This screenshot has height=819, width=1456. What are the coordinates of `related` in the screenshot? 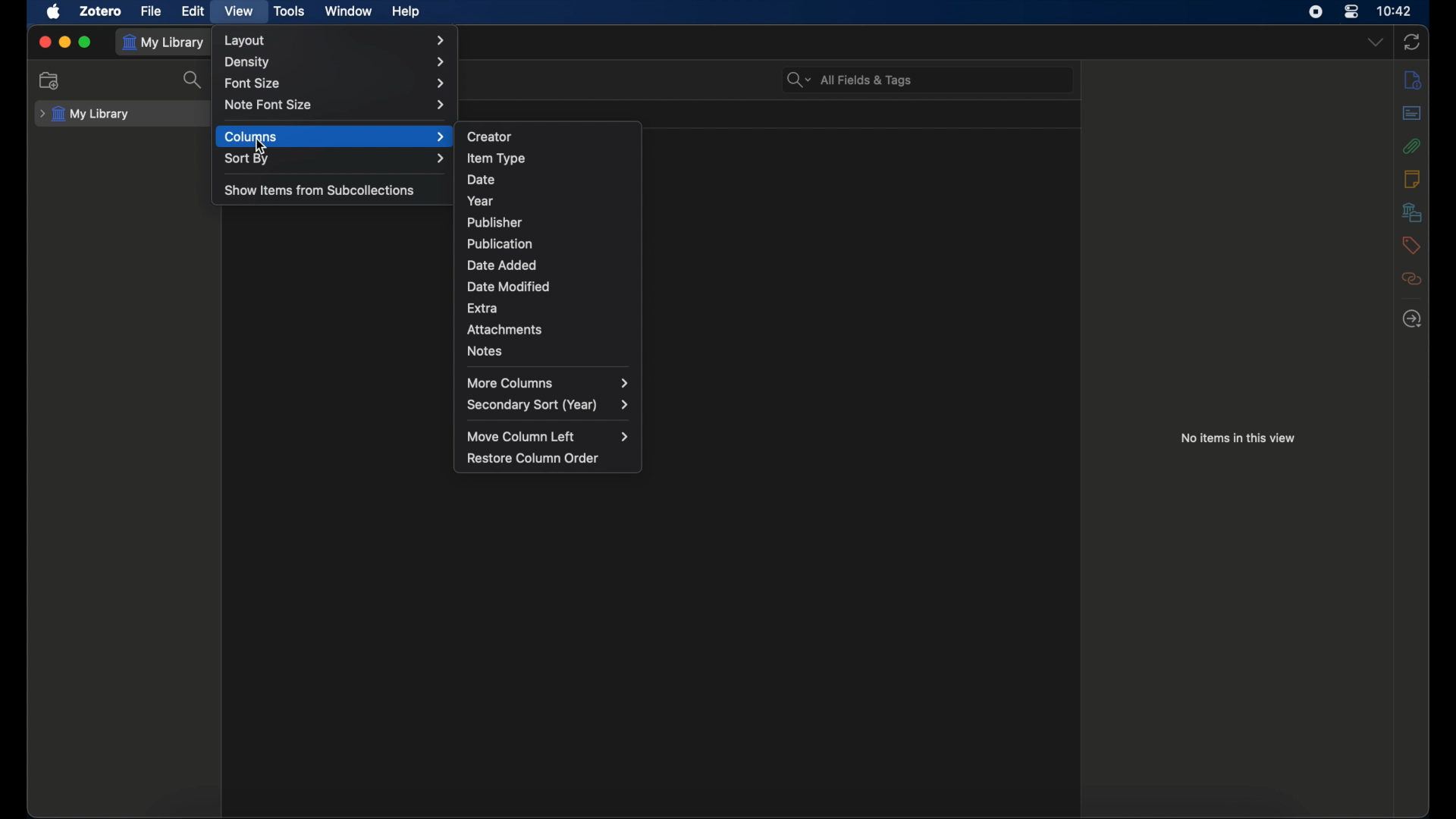 It's located at (1411, 278).